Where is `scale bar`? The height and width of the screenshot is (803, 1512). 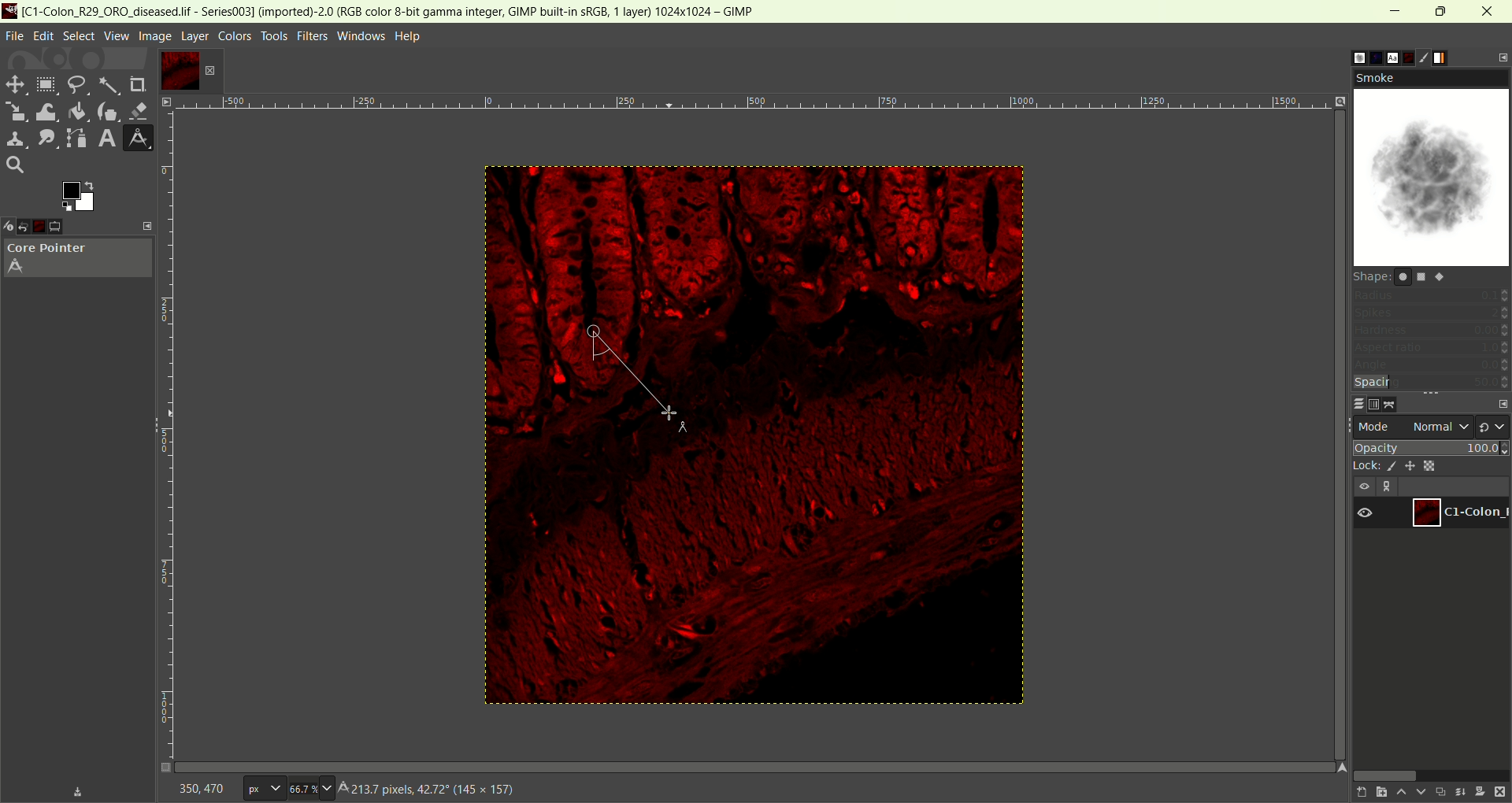
scale bar is located at coordinates (172, 427).